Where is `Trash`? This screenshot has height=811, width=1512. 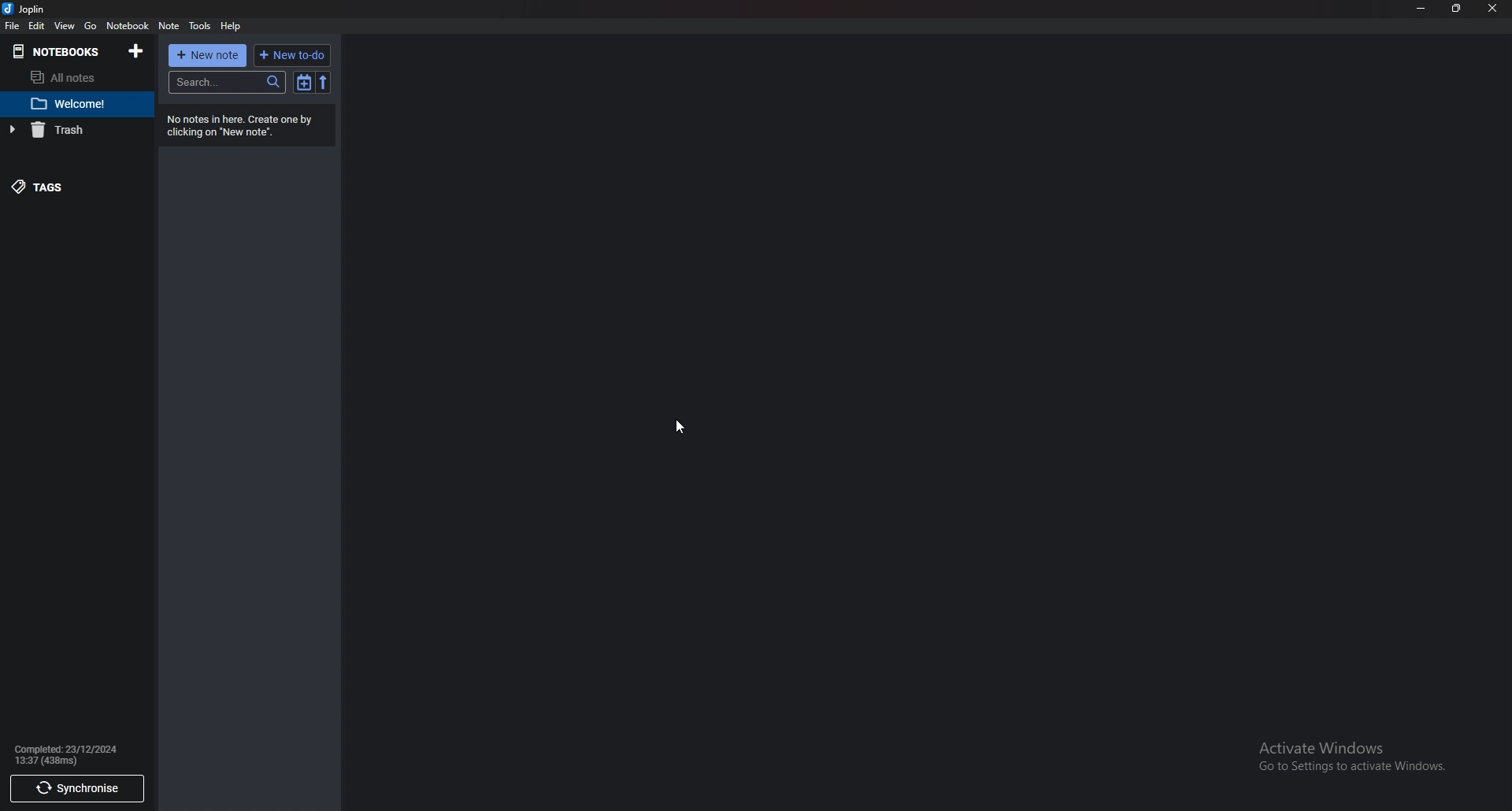
Trash is located at coordinates (65, 131).